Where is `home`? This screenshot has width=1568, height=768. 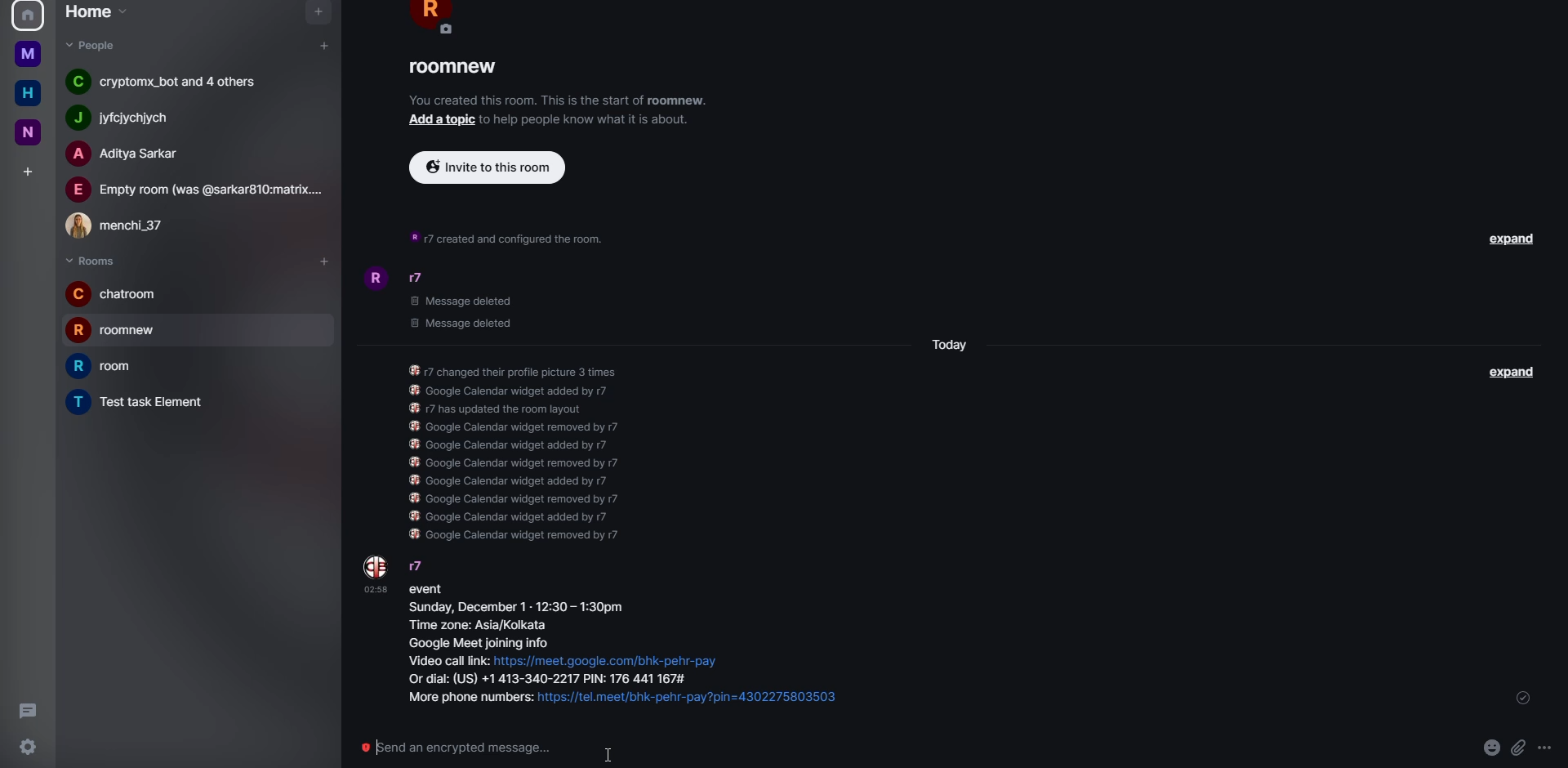 home is located at coordinates (28, 93).